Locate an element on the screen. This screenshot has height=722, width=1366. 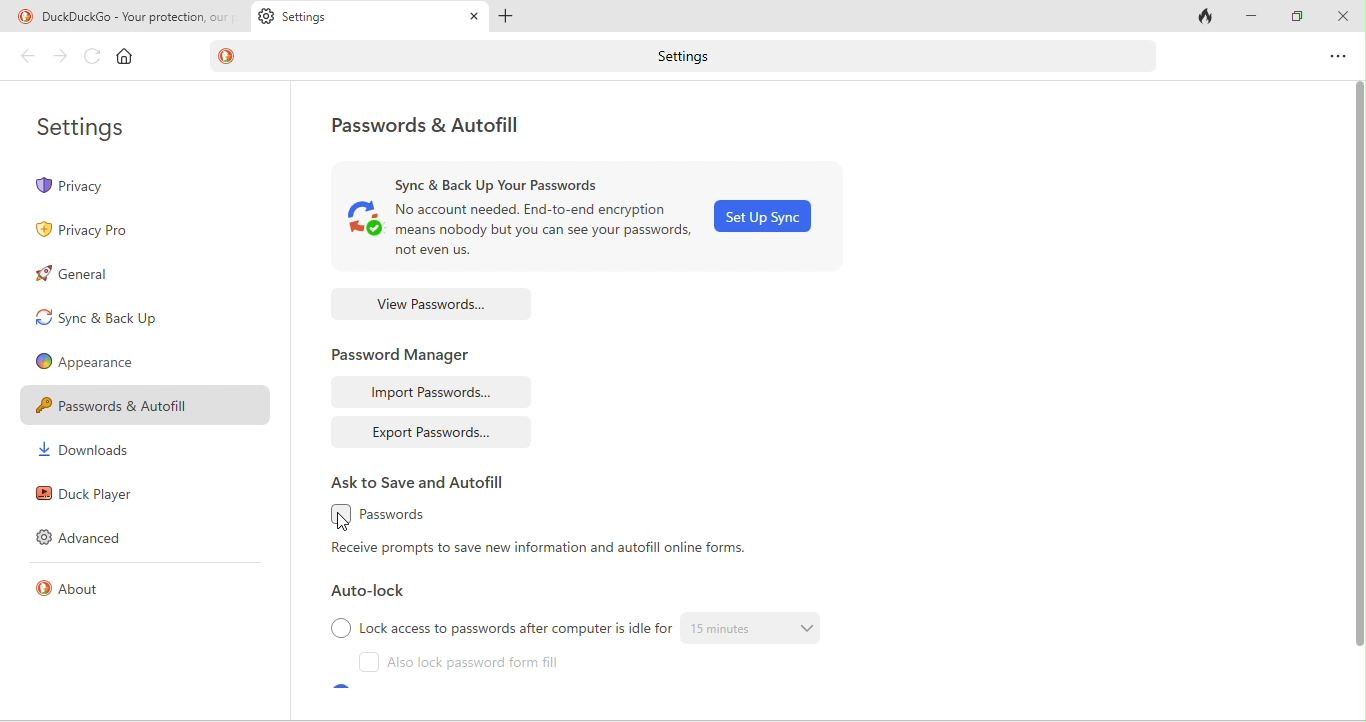
add tab is located at coordinates (509, 17).